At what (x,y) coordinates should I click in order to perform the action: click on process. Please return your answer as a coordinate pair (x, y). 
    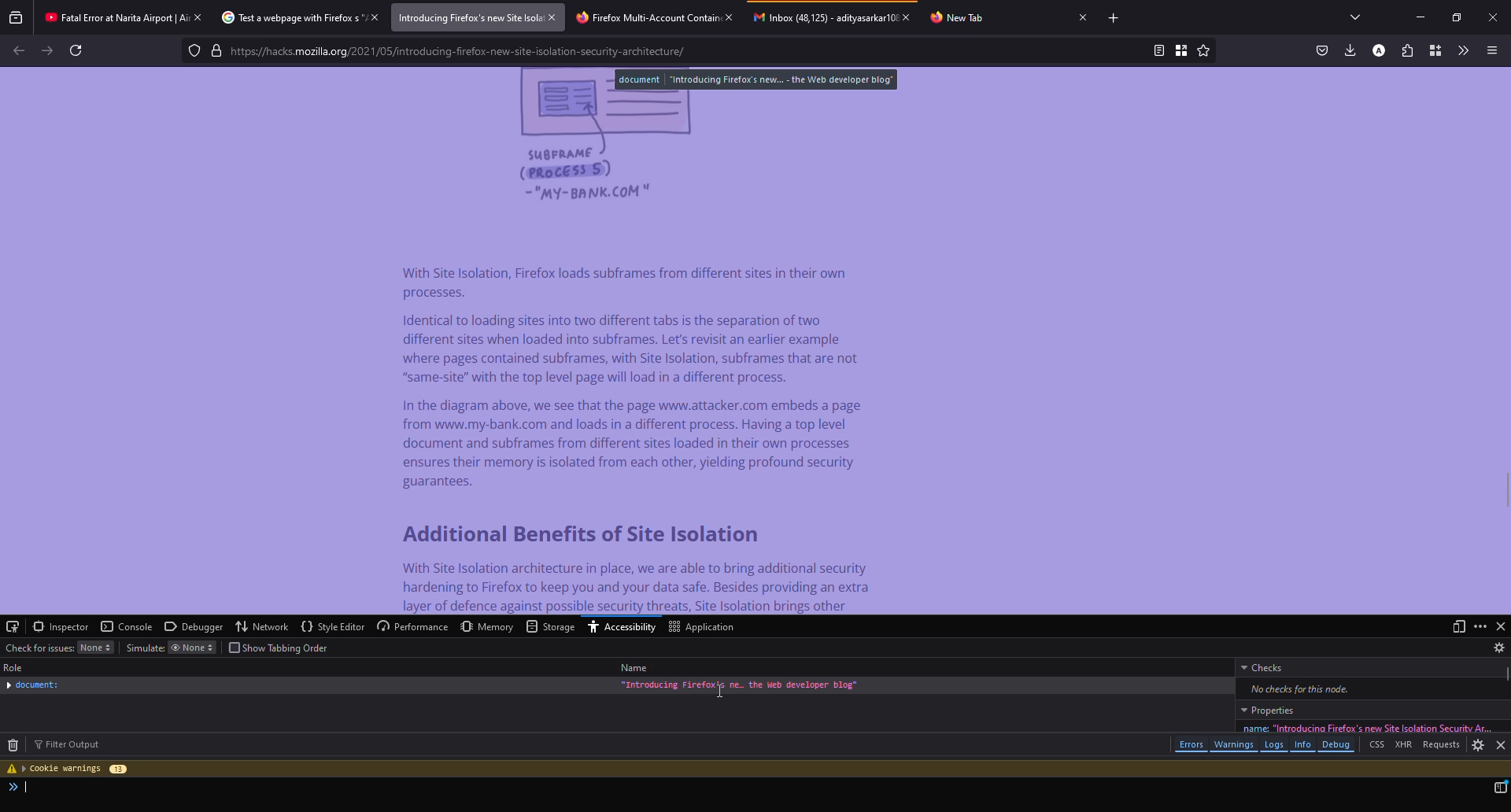
    Looking at the image, I should click on (1500, 787).